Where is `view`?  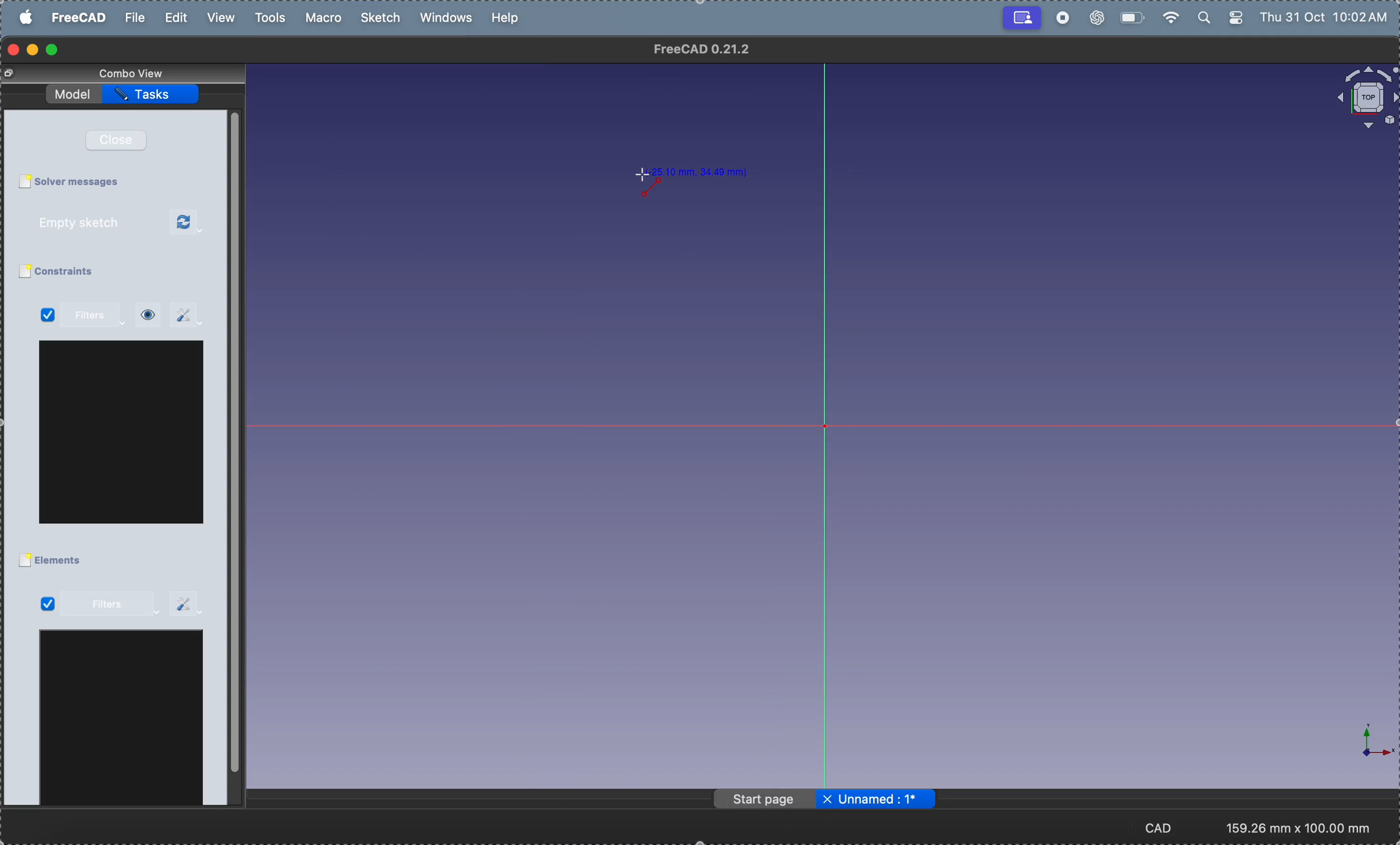
view is located at coordinates (219, 18).